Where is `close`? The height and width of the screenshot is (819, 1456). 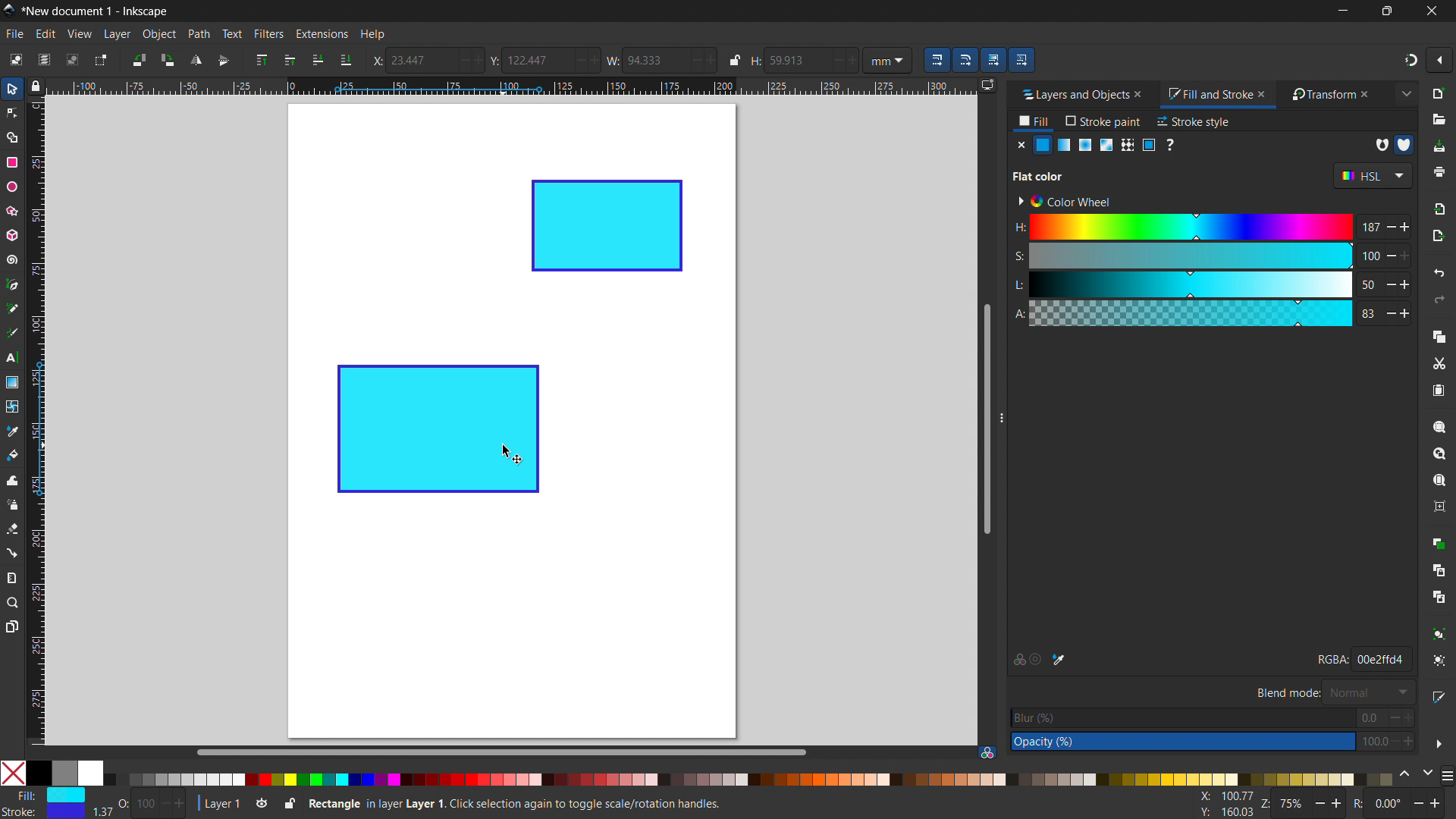 close is located at coordinates (1144, 94).